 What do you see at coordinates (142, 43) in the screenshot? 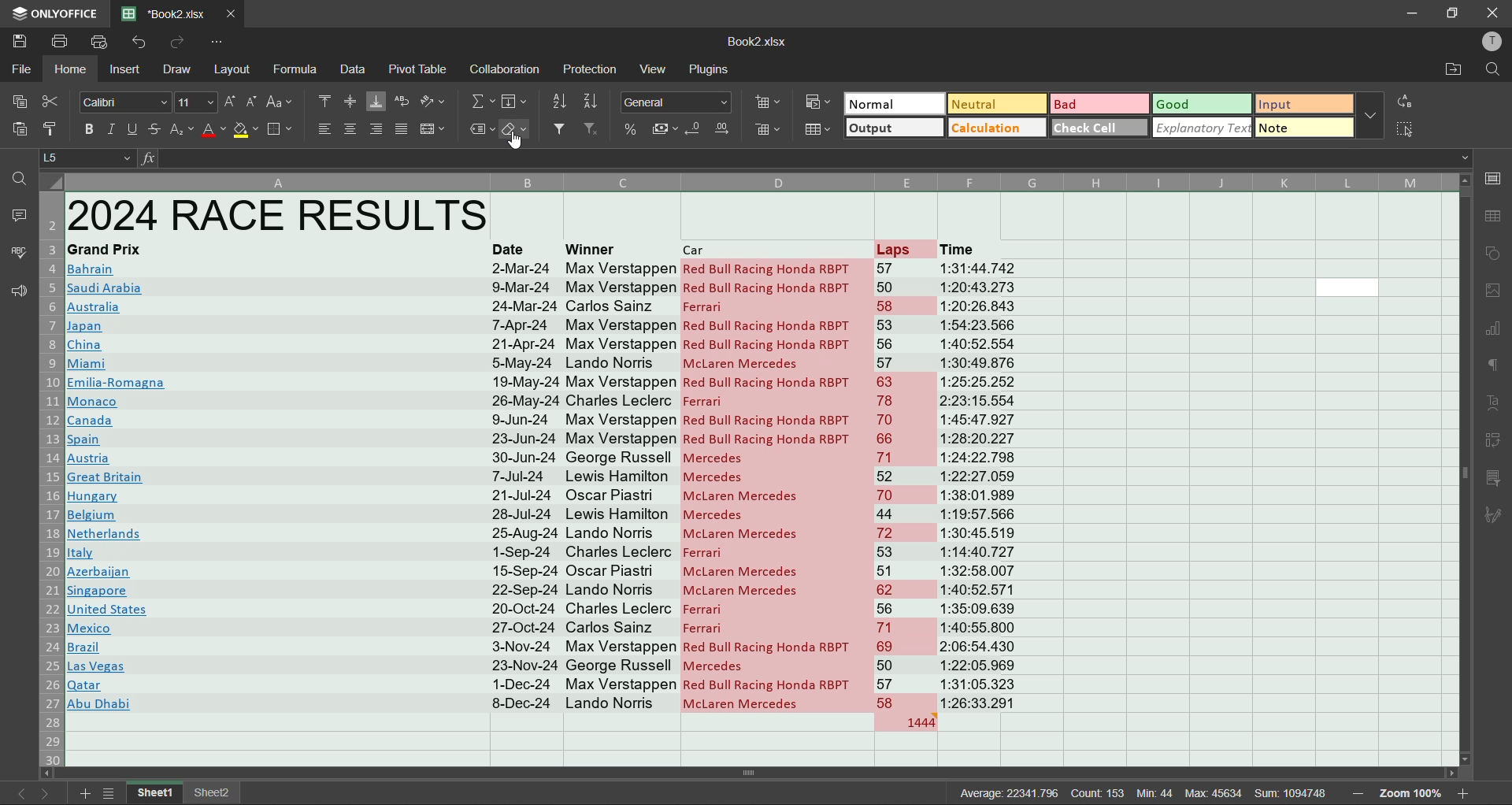
I see `undo` at bounding box center [142, 43].